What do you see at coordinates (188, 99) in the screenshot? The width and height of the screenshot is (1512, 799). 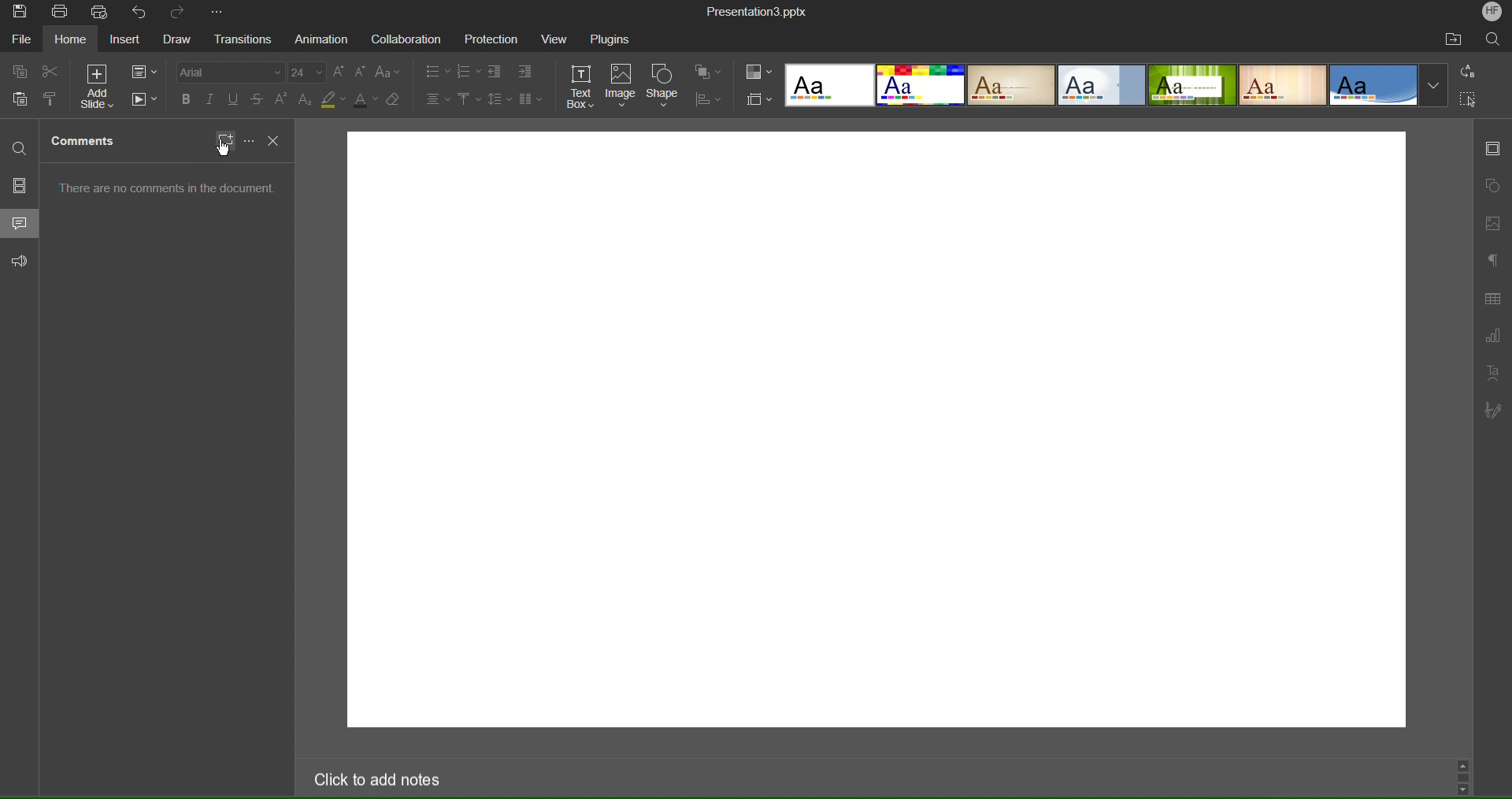 I see `Bold` at bounding box center [188, 99].